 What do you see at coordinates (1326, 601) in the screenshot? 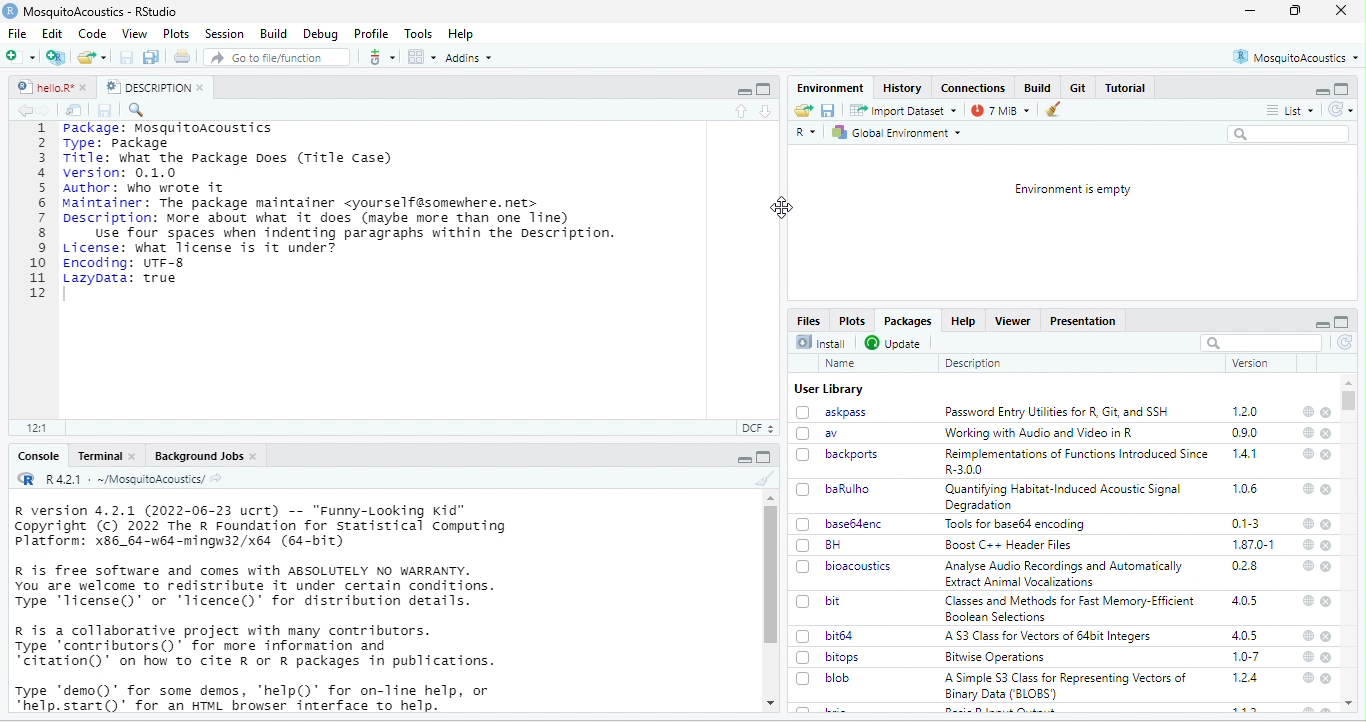
I see `close` at bounding box center [1326, 601].